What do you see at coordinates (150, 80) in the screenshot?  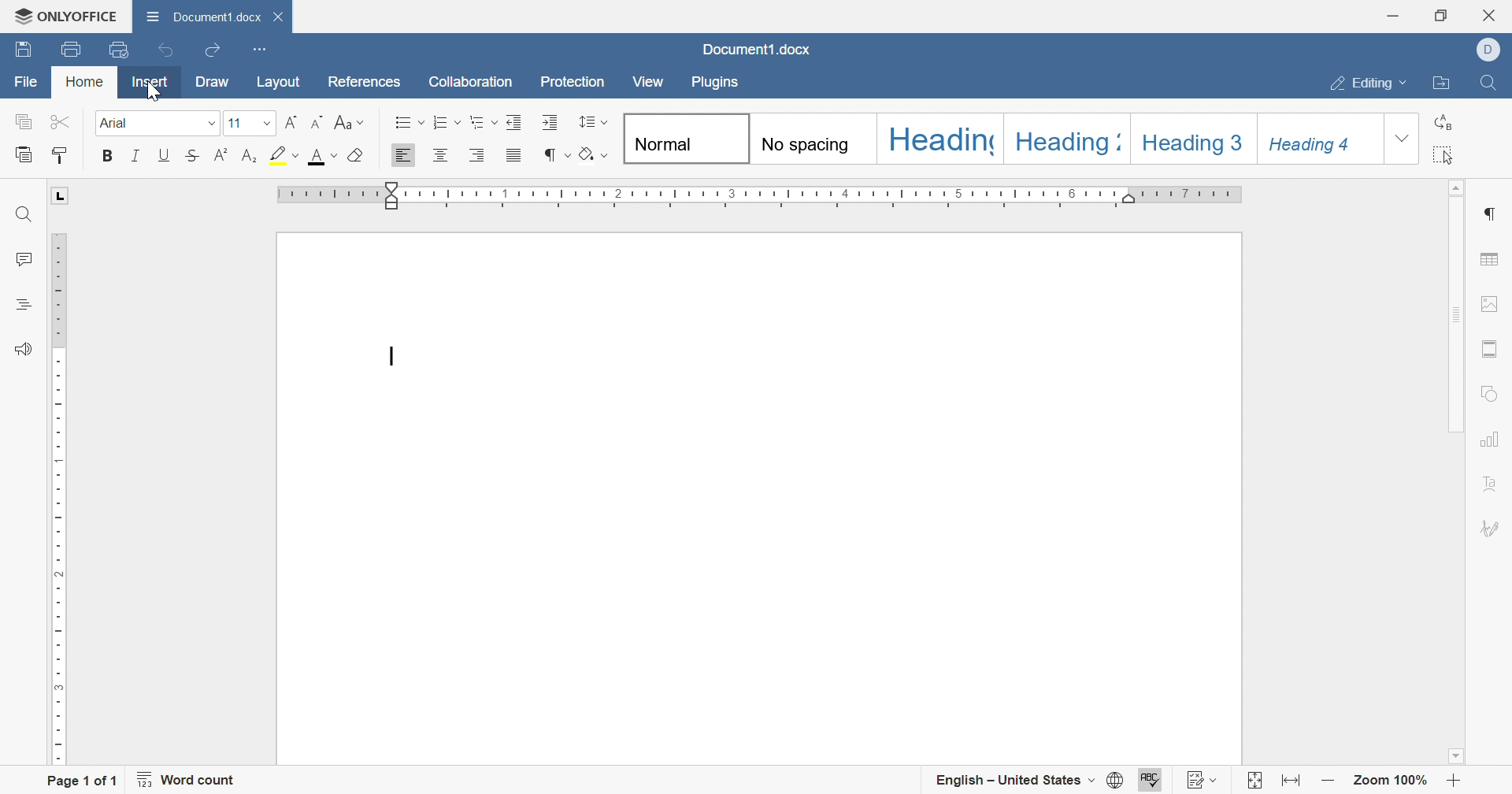 I see `Insert` at bounding box center [150, 80].